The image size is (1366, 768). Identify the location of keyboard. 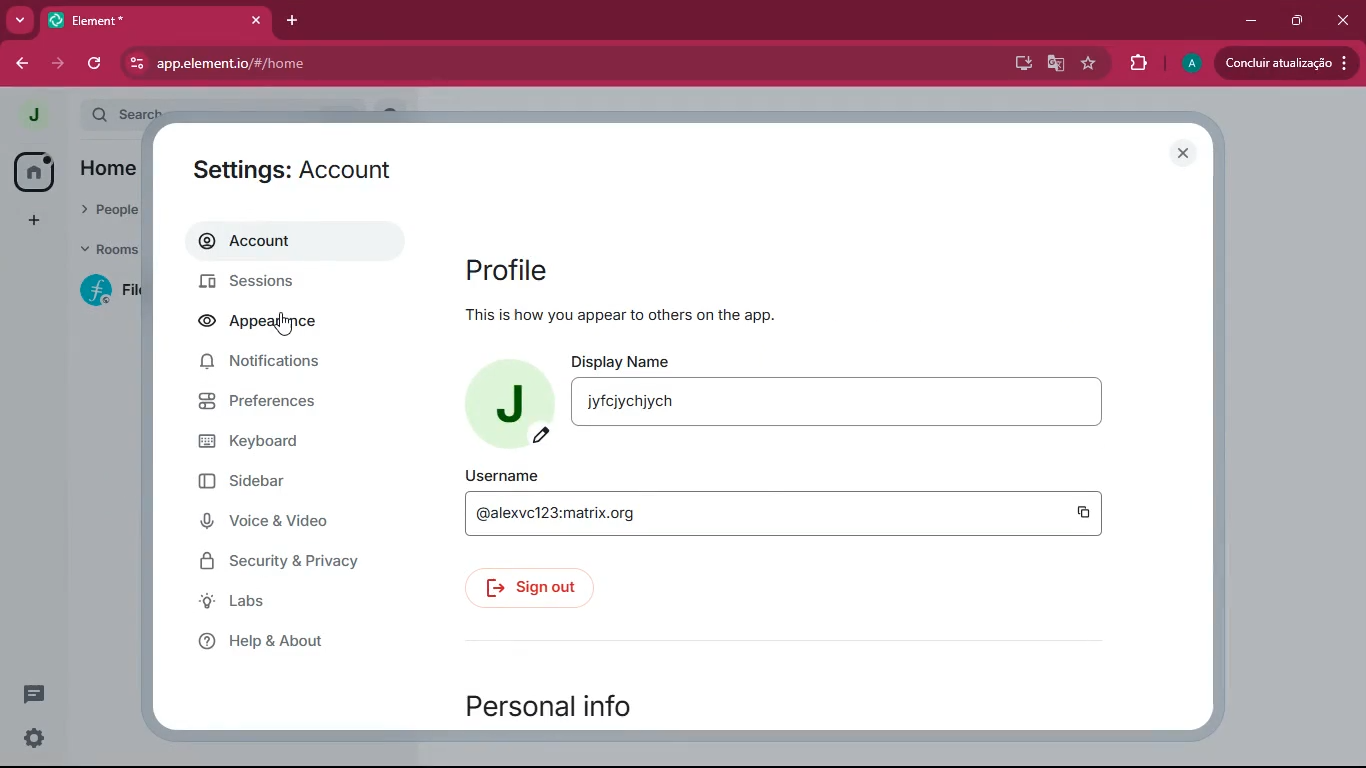
(289, 440).